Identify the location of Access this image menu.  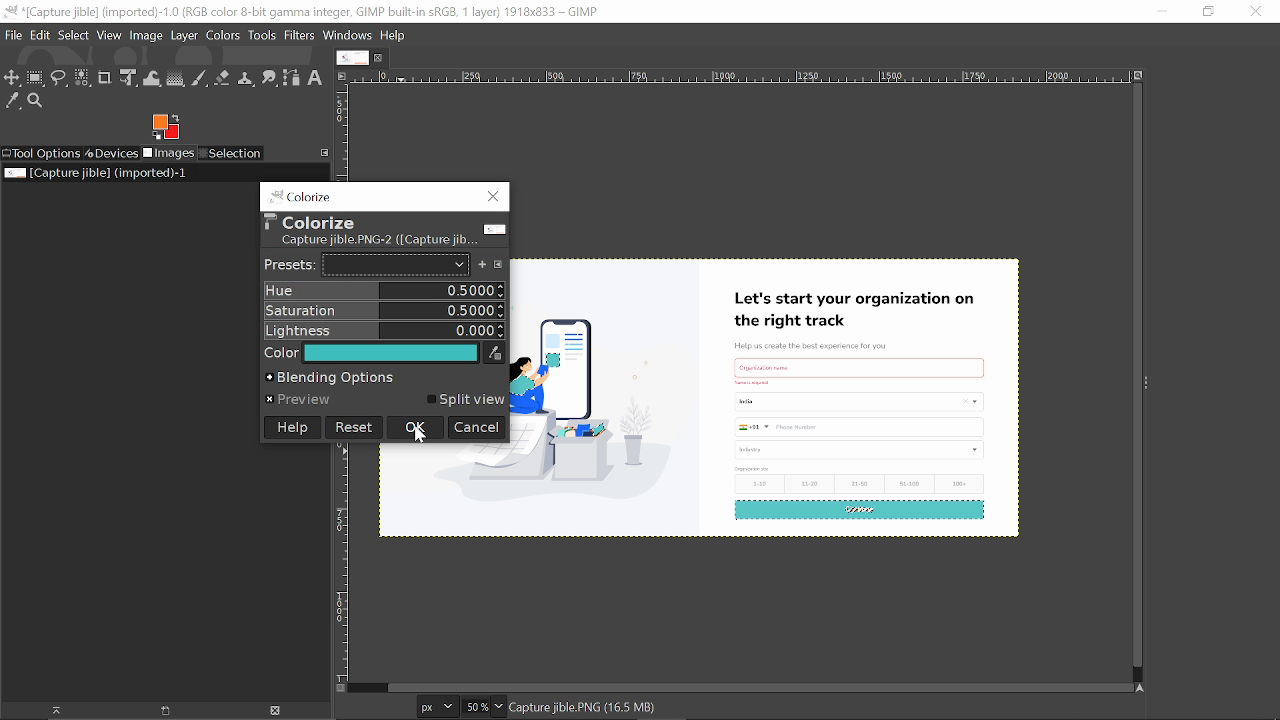
(341, 75).